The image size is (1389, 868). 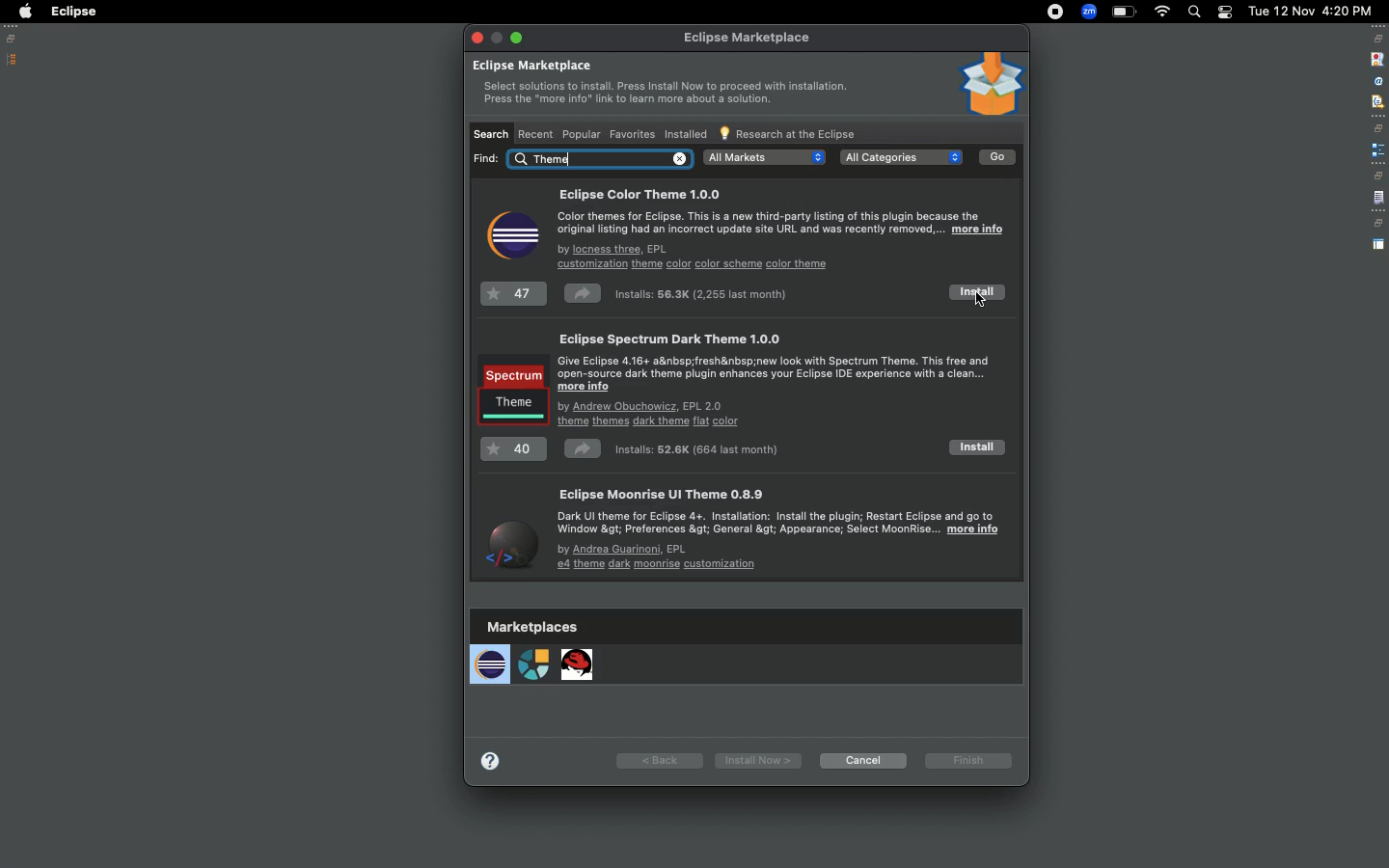 What do you see at coordinates (487, 158) in the screenshot?
I see `find` at bounding box center [487, 158].